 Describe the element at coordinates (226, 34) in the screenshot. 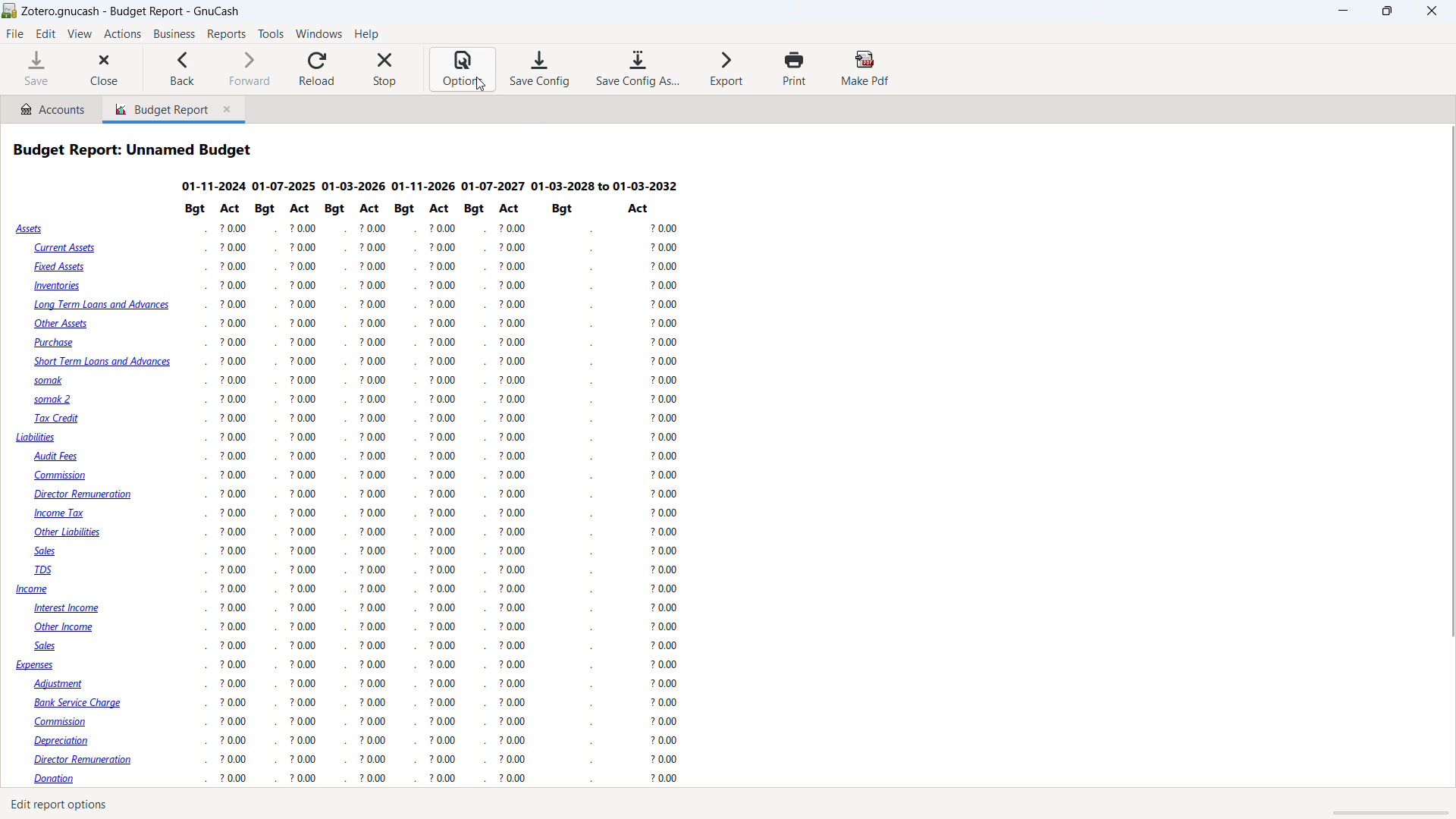

I see `reports` at that location.